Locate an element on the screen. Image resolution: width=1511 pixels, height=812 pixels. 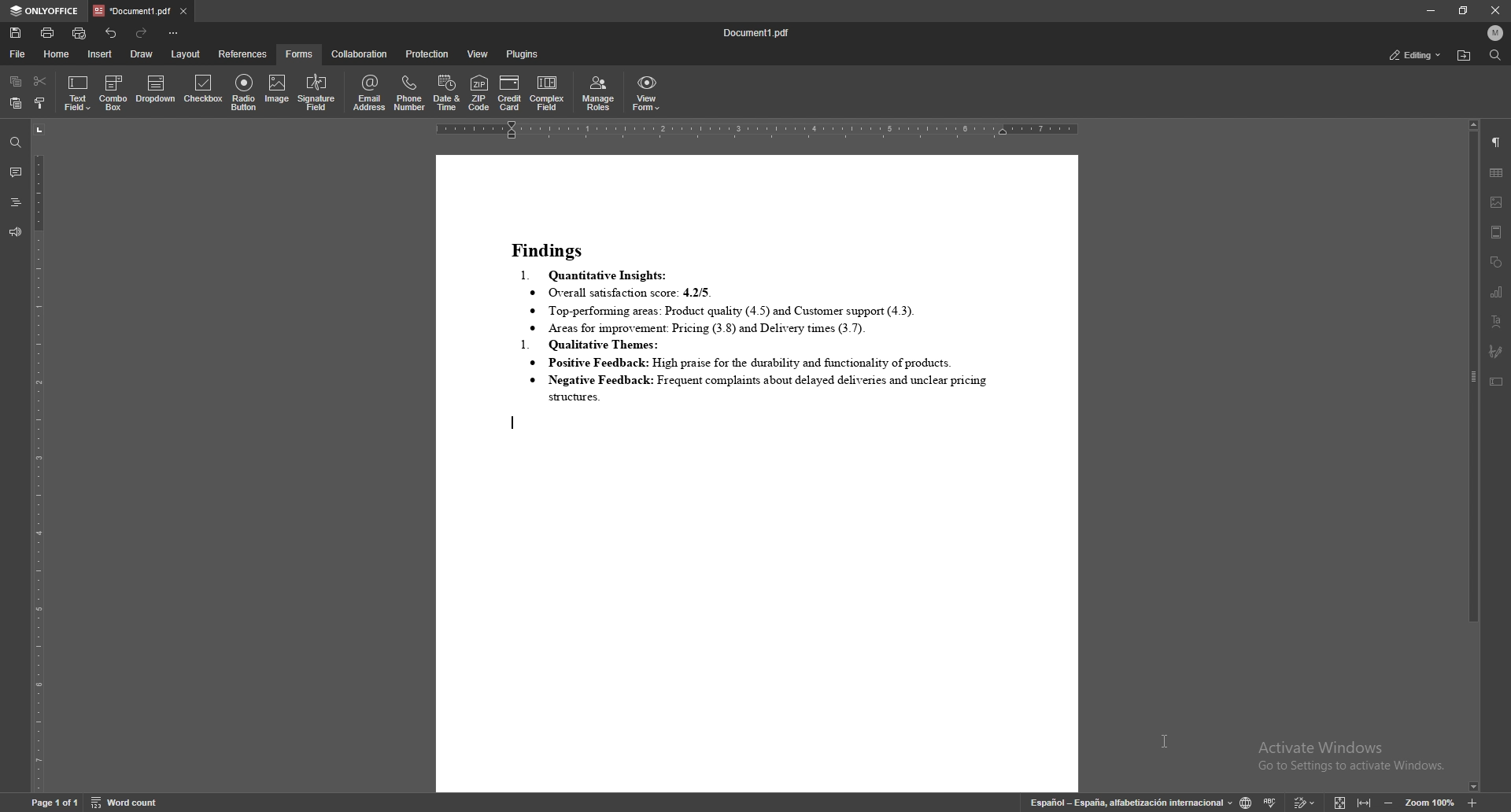
table is located at coordinates (1497, 172).